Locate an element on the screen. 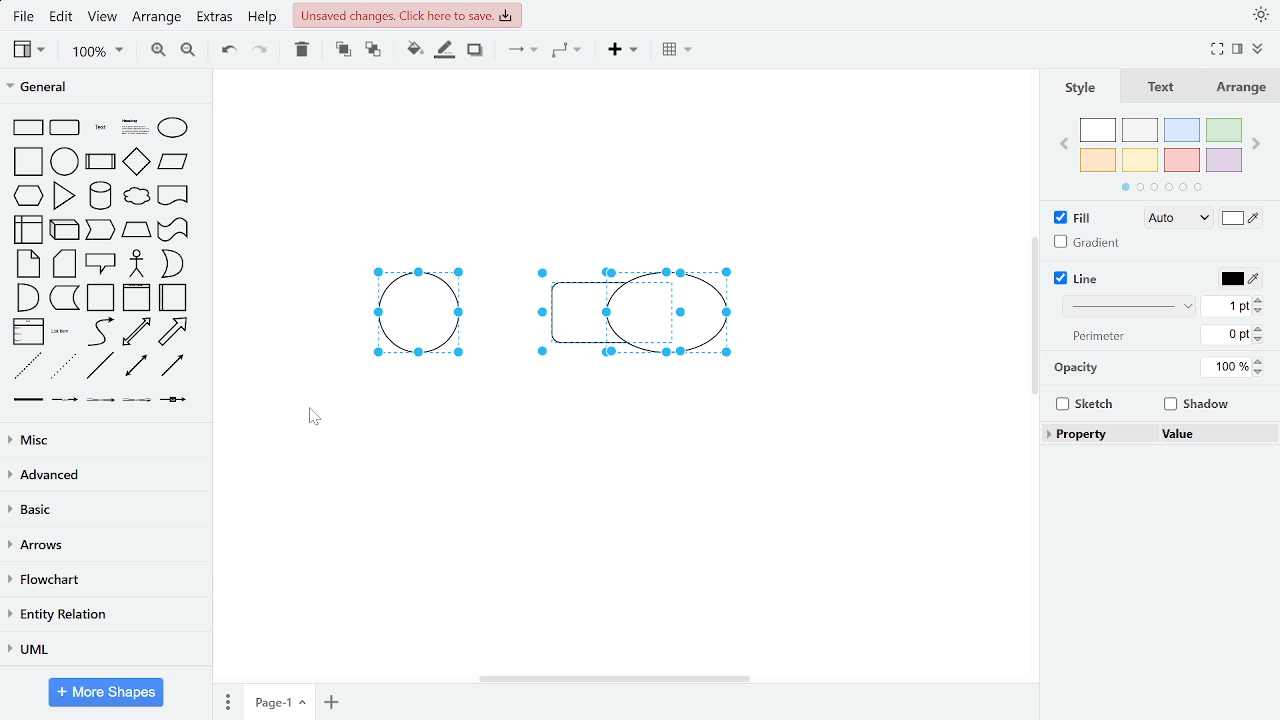 The image size is (1280, 720). fill color is located at coordinates (409, 50).